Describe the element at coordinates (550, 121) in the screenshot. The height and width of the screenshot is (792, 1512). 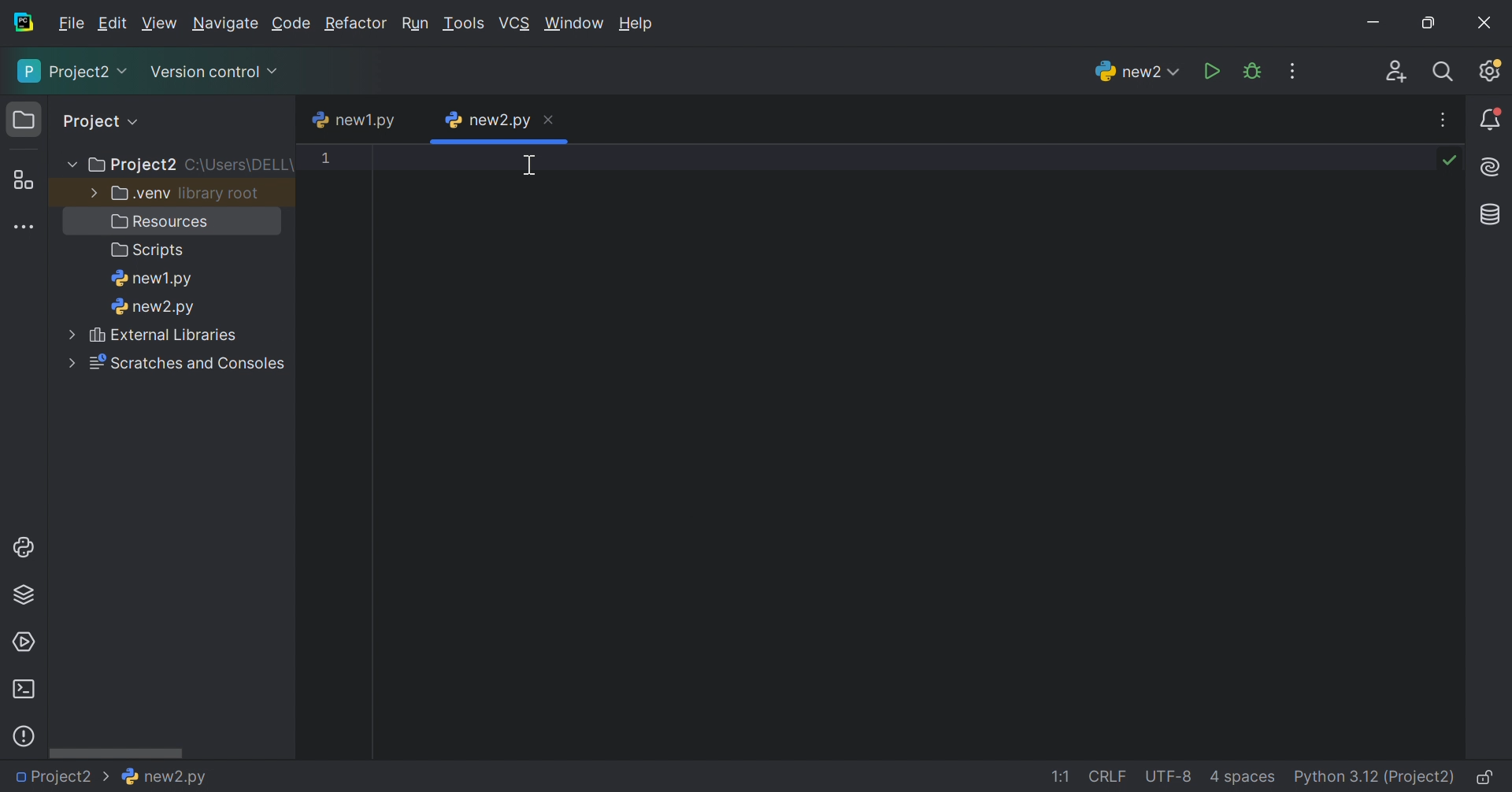
I see `Close` at that location.